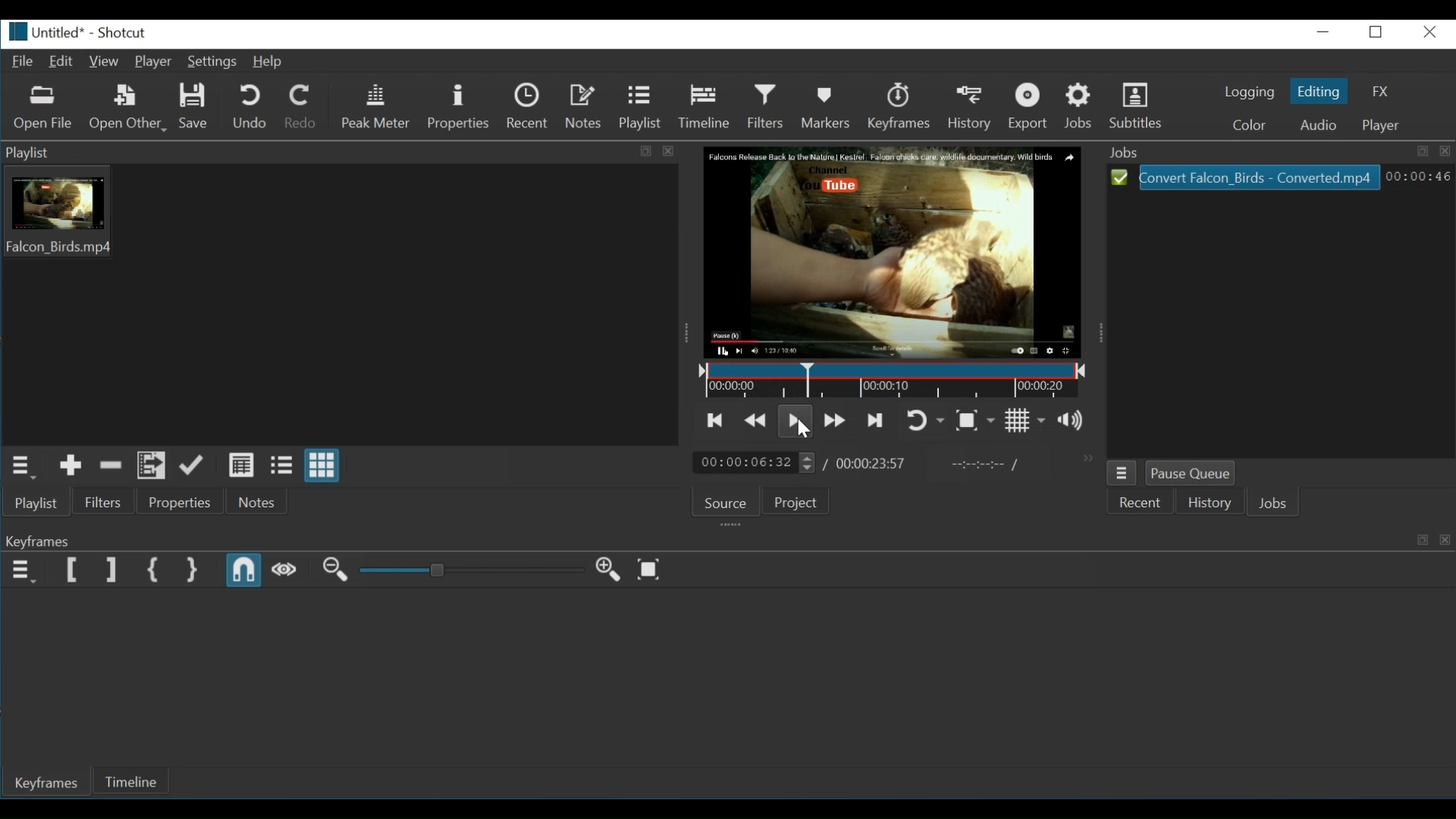 This screenshot has height=819, width=1456. Describe the element at coordinates (35, 502) in the screenshot. I see `Playlist` at that location.